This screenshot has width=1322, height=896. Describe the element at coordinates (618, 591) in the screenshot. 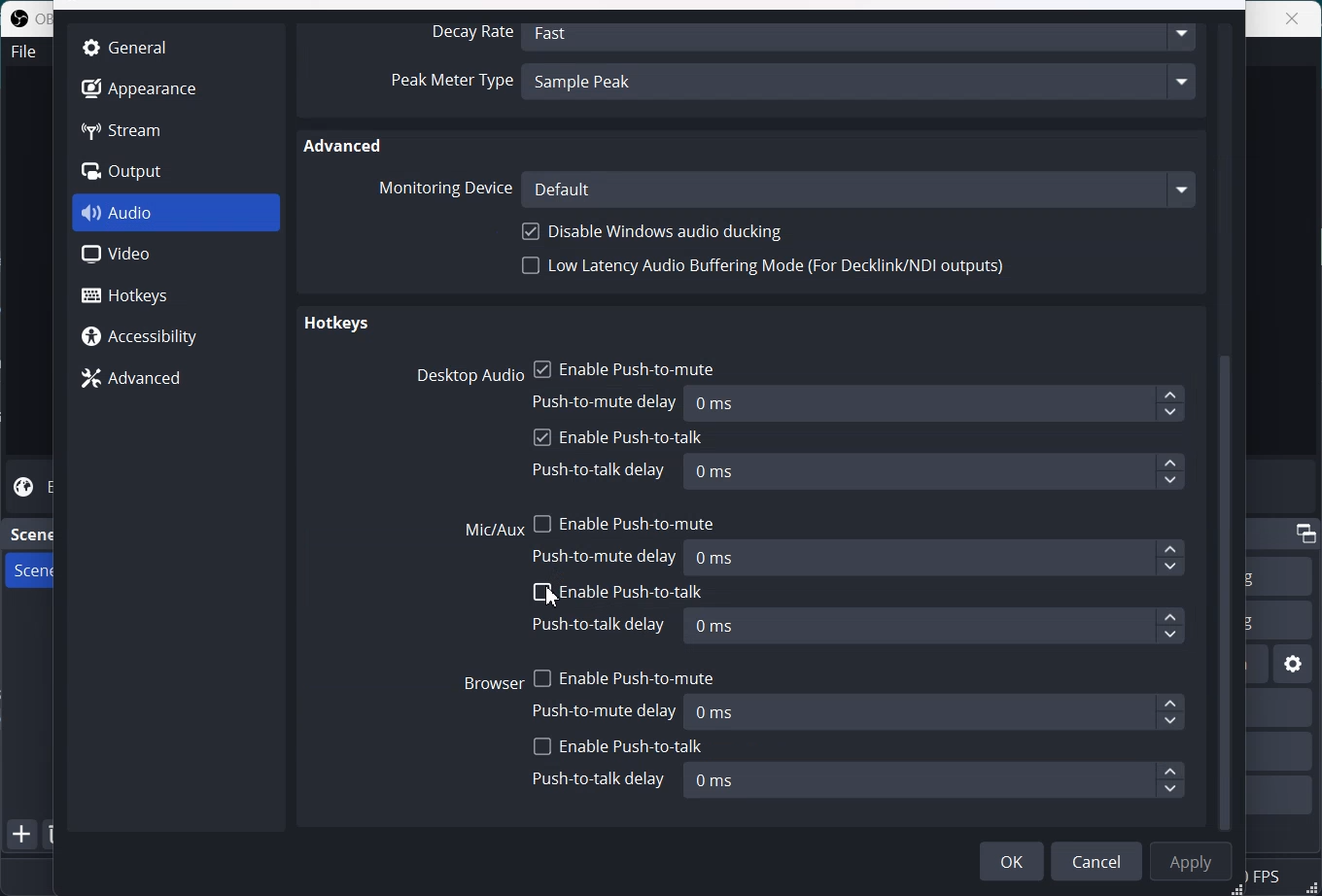

I see `Enable Push-to-talk` at that location.